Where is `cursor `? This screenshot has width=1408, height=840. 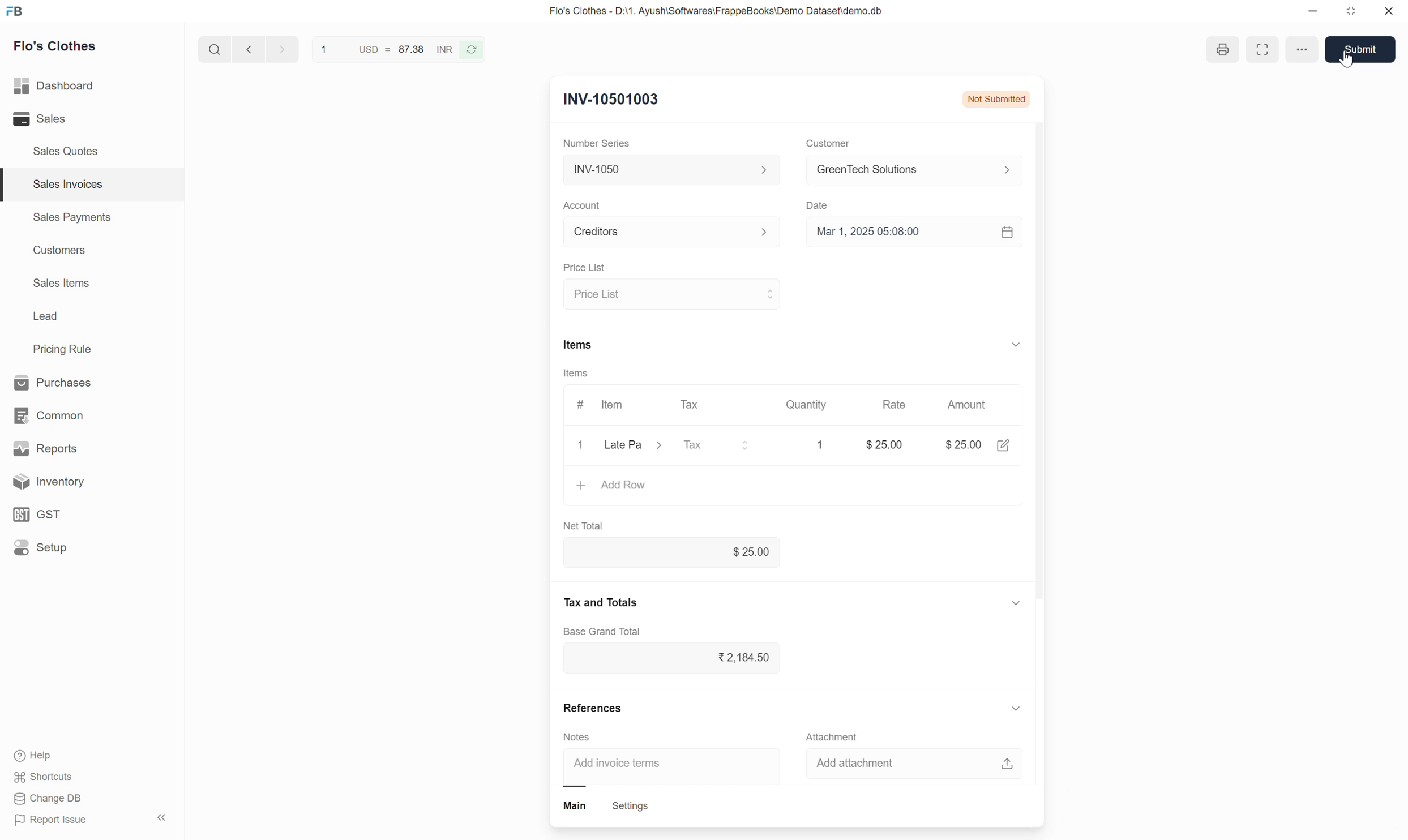 cursor  is located at coordinates (1346, 63).